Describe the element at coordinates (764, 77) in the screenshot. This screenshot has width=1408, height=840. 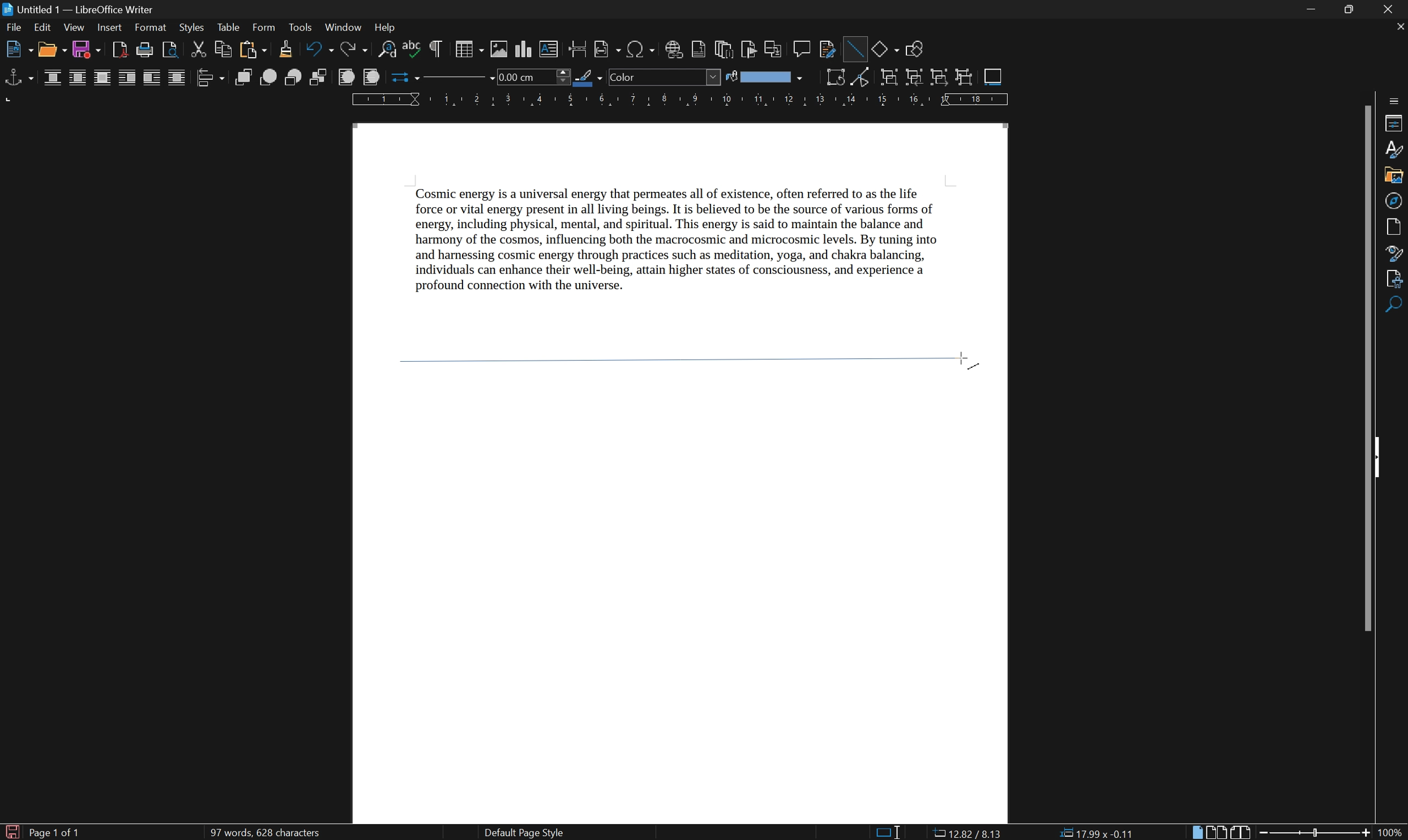
I see `fill color` at that location.